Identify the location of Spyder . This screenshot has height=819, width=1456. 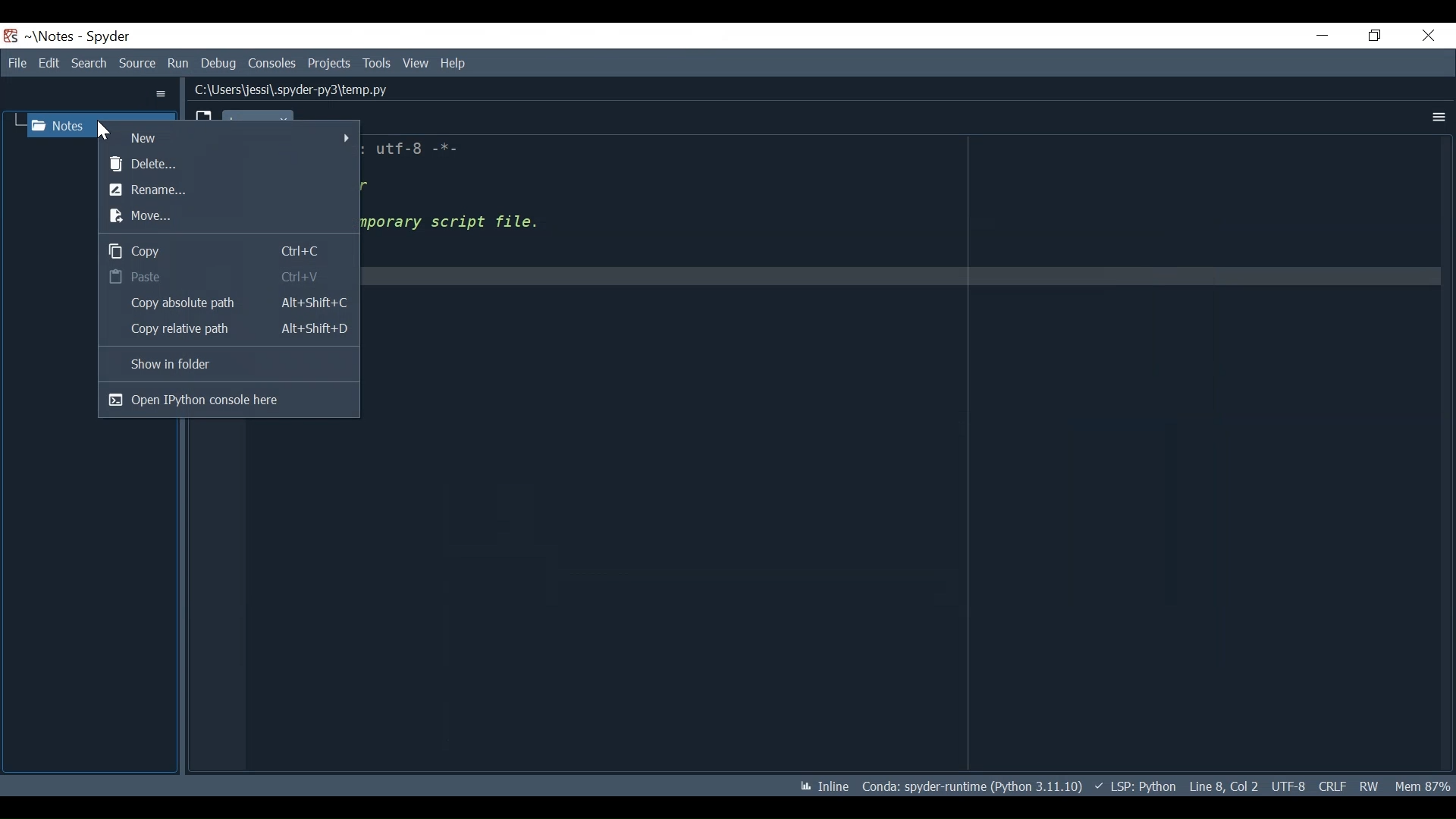
(107, 37).